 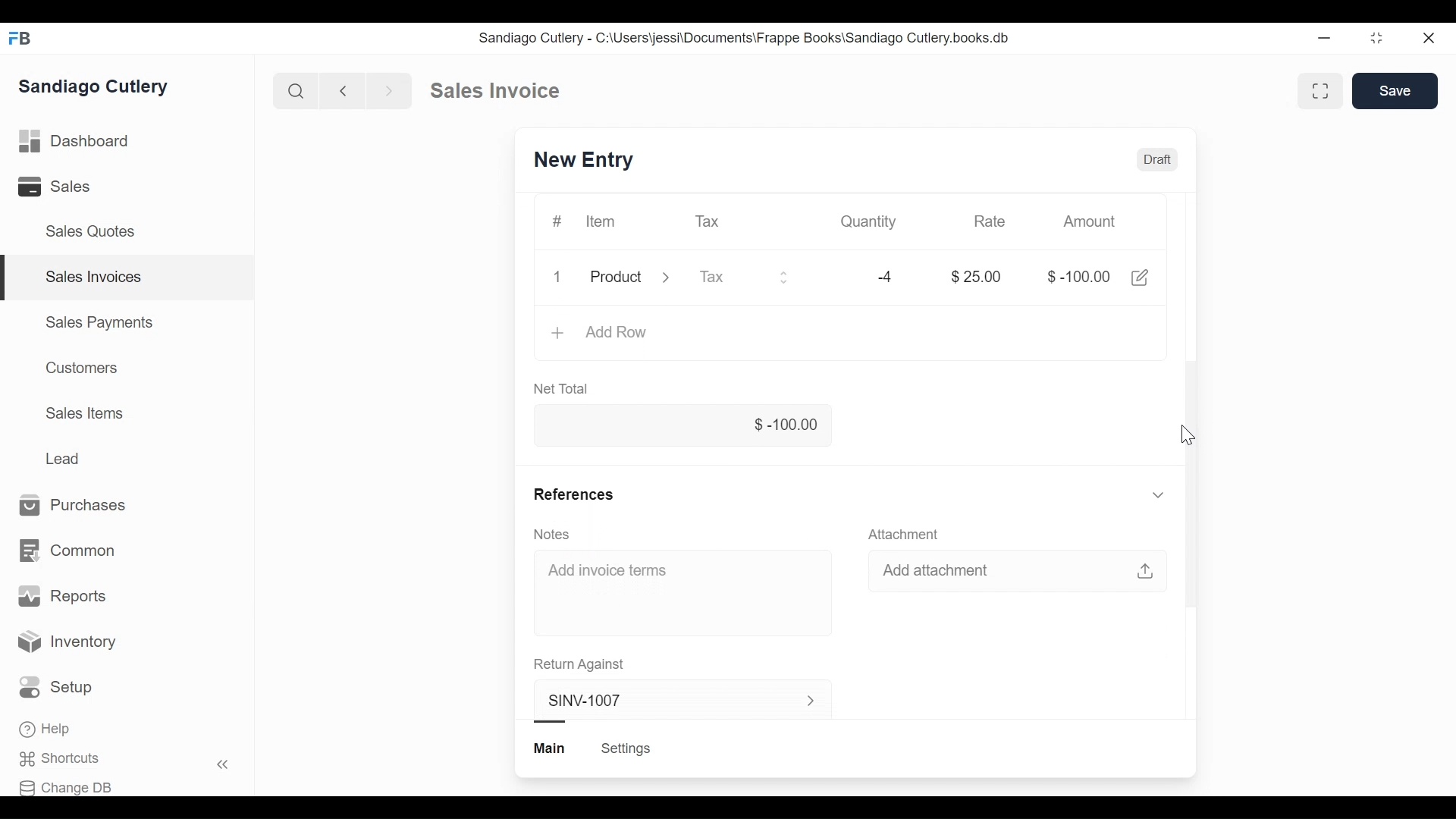 I want to click on Add invoice terms, so click(x=607, y=570).